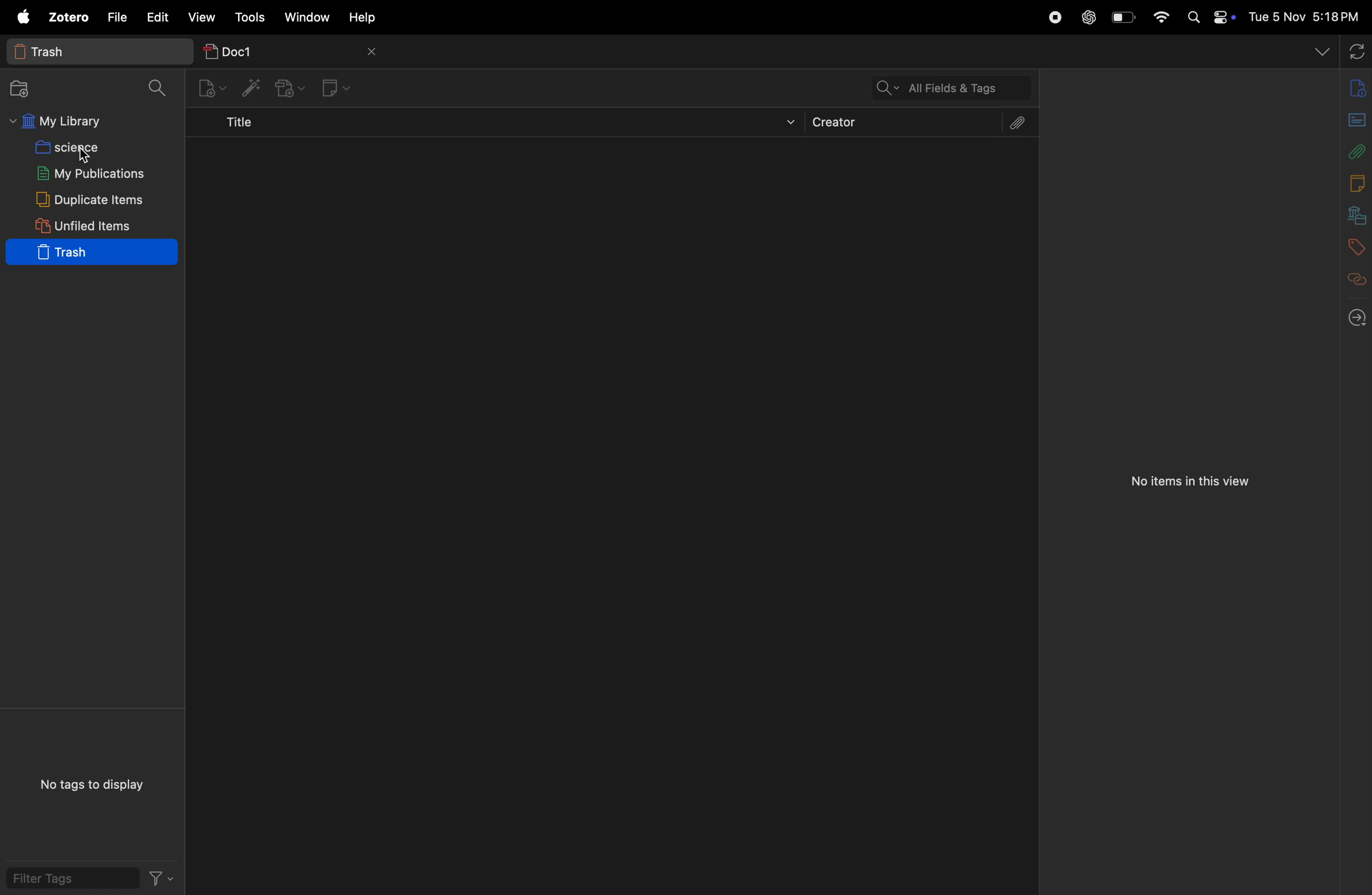 The image size is (1372, 895). I want to click on new note, so click(337, 87).